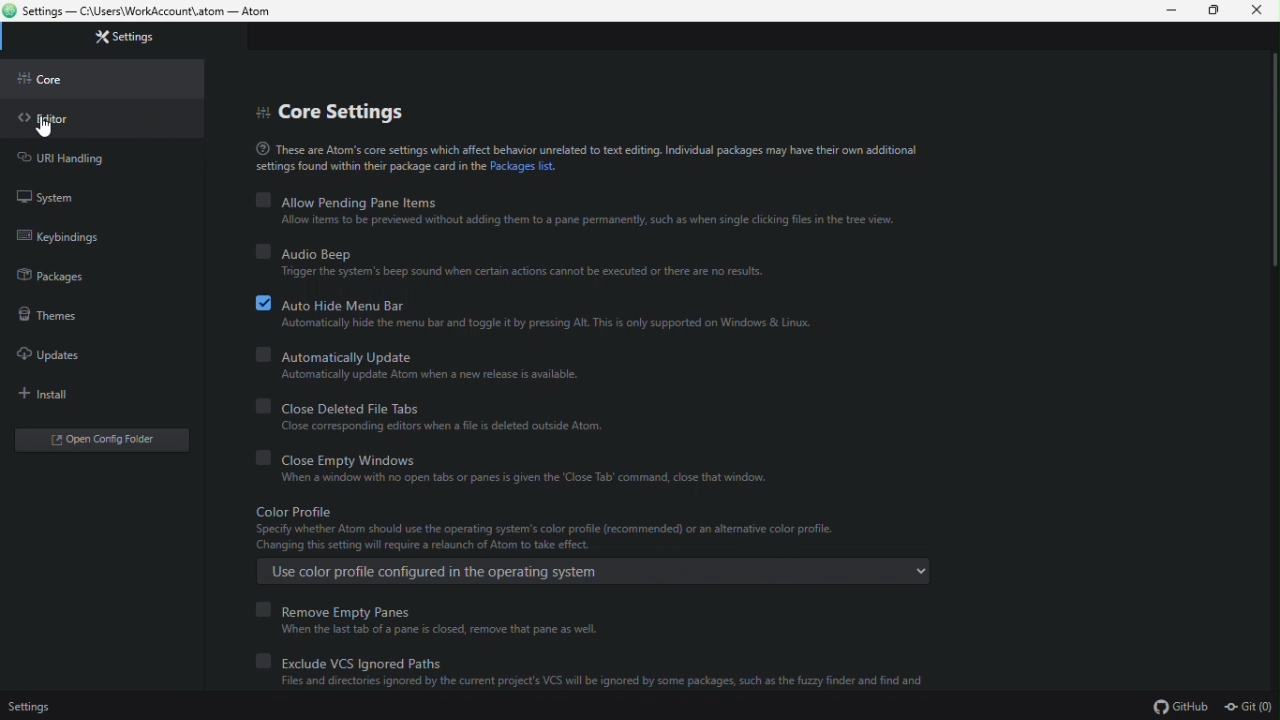 The height and width of the screenshot is (720, 1280). I want to click on restore, so click(1215, 12).